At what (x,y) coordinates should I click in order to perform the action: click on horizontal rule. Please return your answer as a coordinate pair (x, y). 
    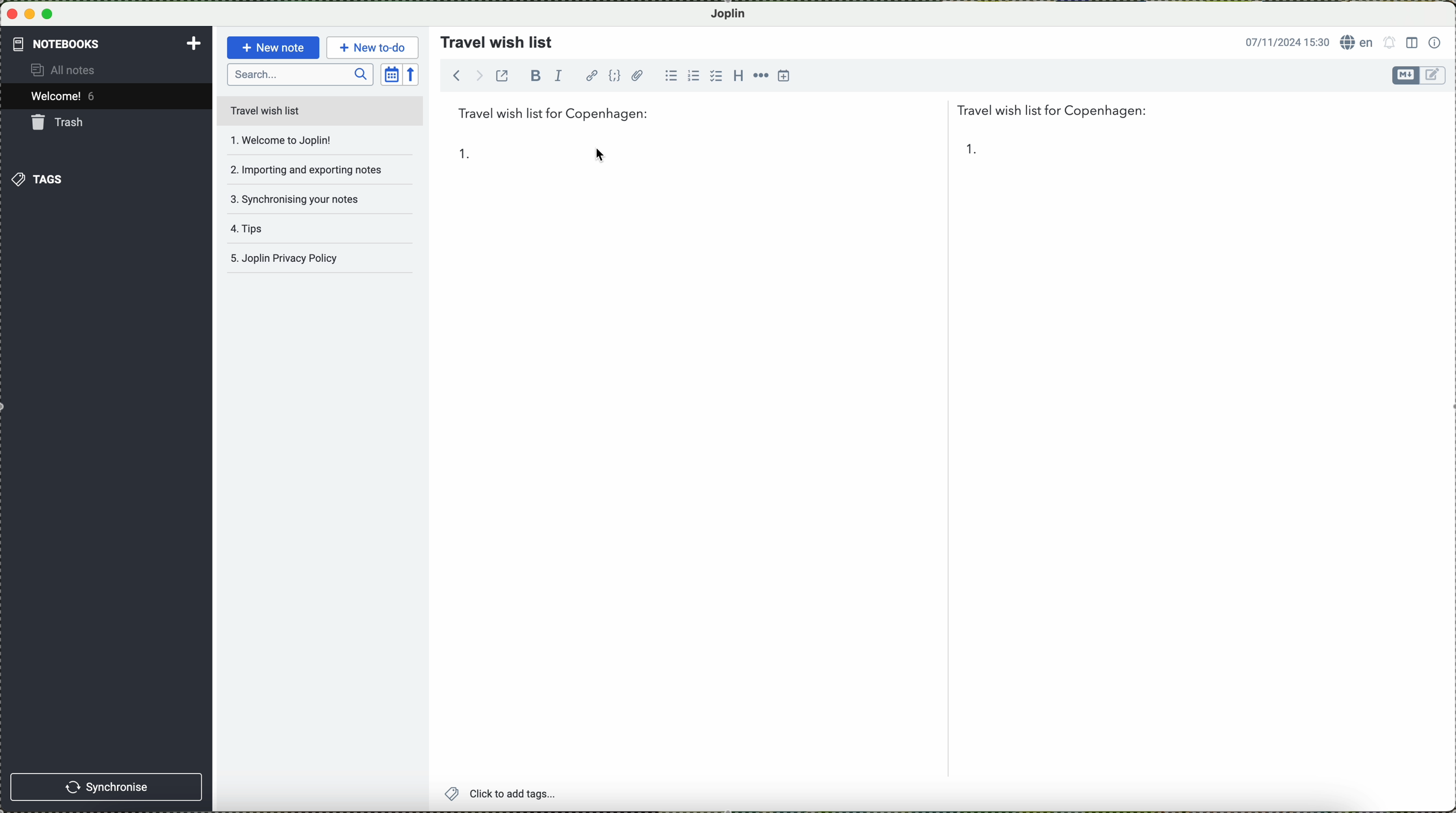
    Looking at the image, I should click on (760, 75).